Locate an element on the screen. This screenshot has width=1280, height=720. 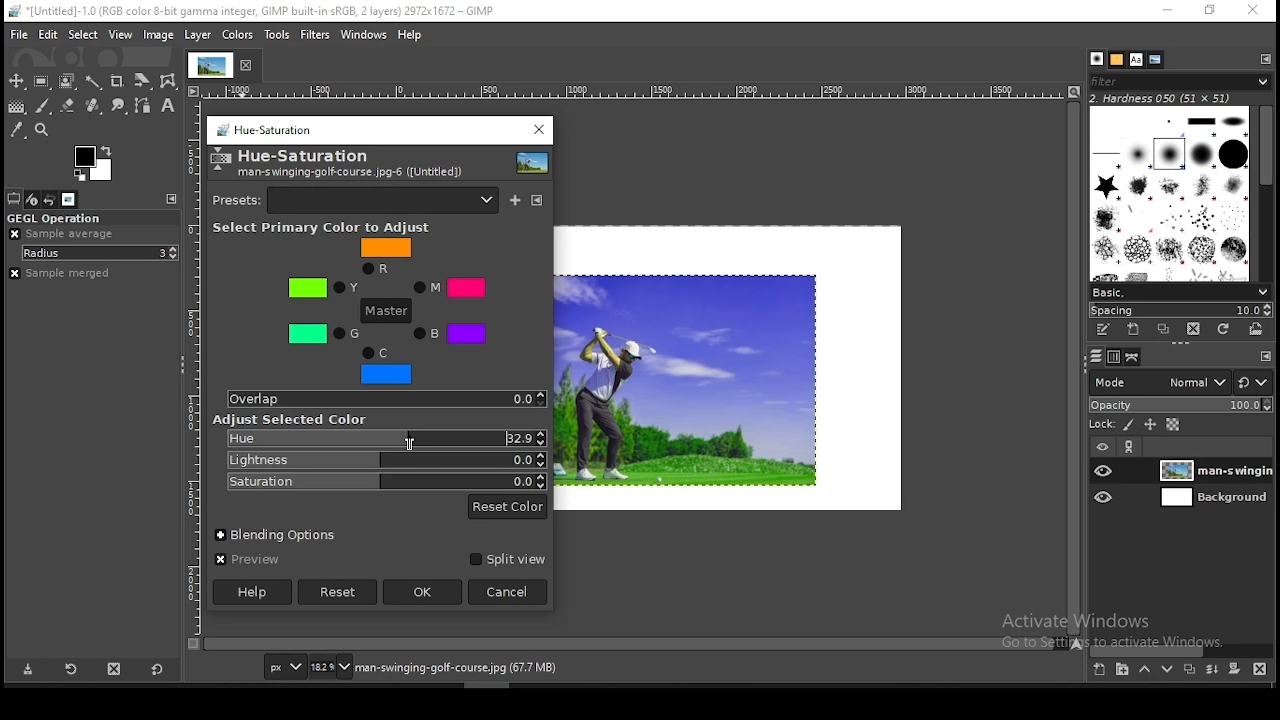
add a mask is located at coordinates (1236, 669).